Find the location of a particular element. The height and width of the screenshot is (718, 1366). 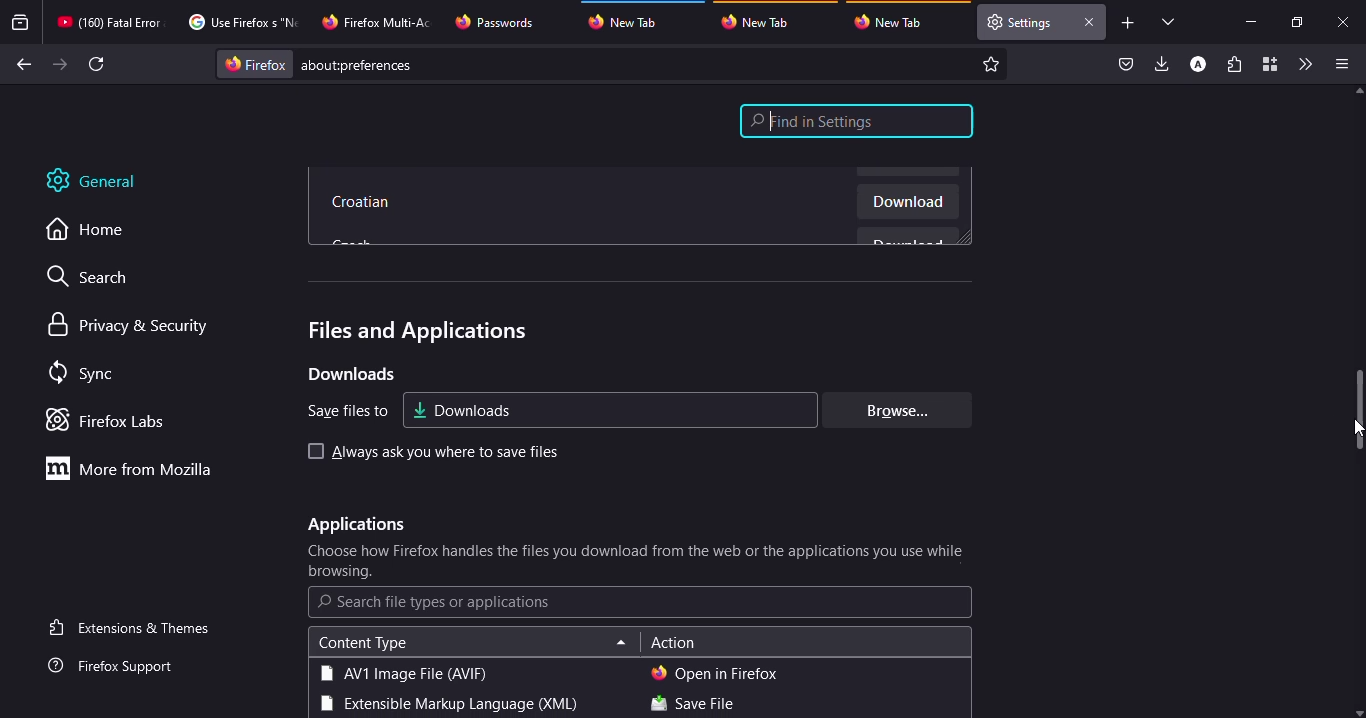

account is located at coordinates (1198, 65).